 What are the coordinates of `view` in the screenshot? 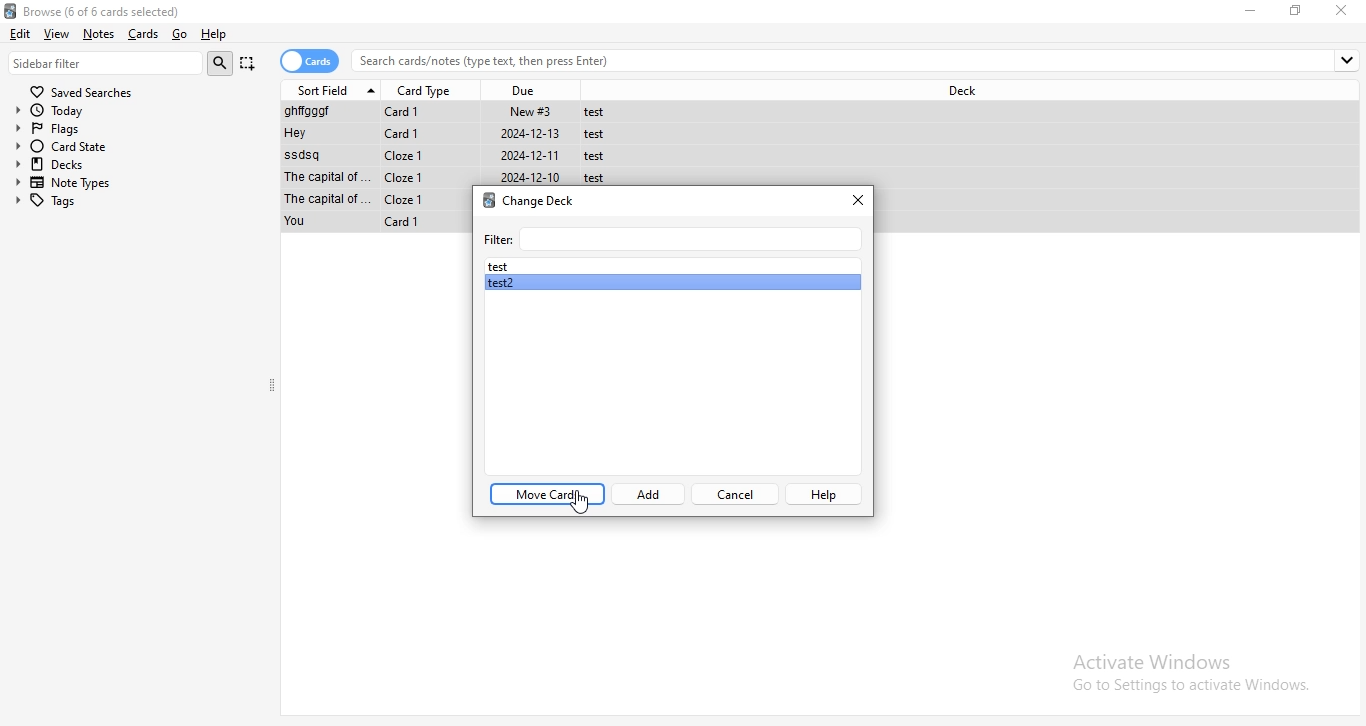 It's located at (58, 33).